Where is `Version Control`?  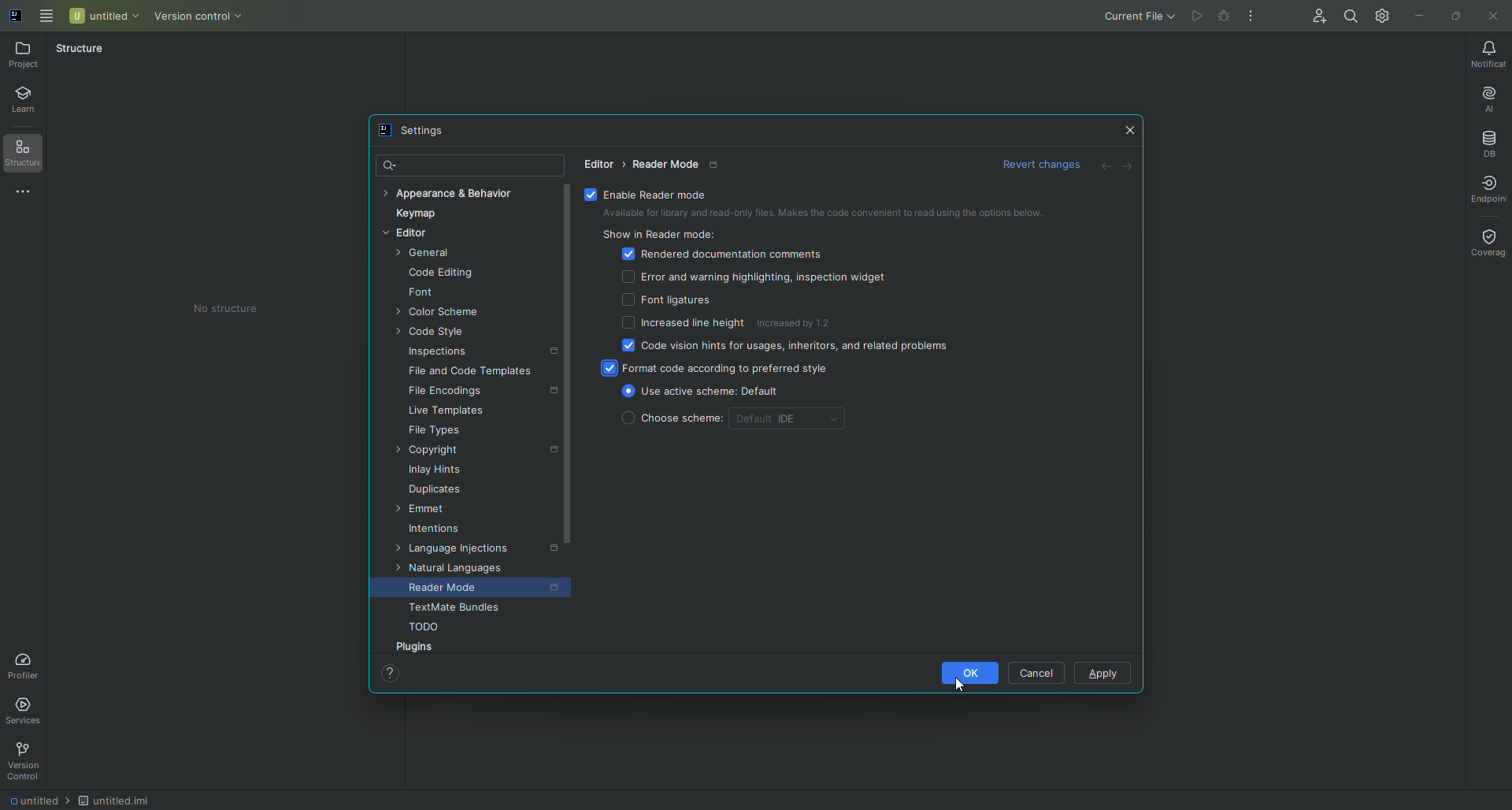
Version Control is located at coordinates (28, 761).